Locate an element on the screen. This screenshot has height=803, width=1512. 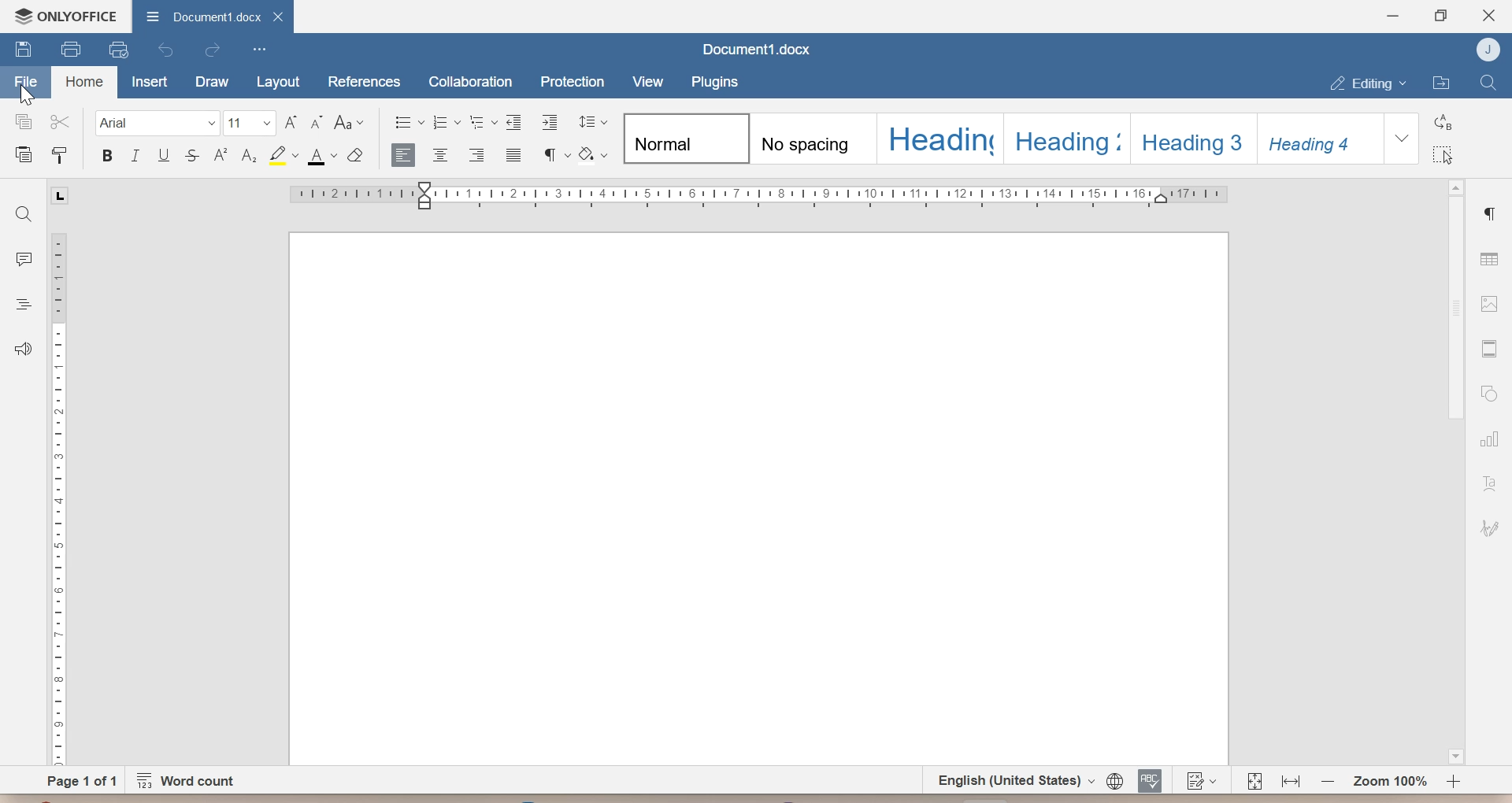
Set text language is located at coordinates (1010, 779).